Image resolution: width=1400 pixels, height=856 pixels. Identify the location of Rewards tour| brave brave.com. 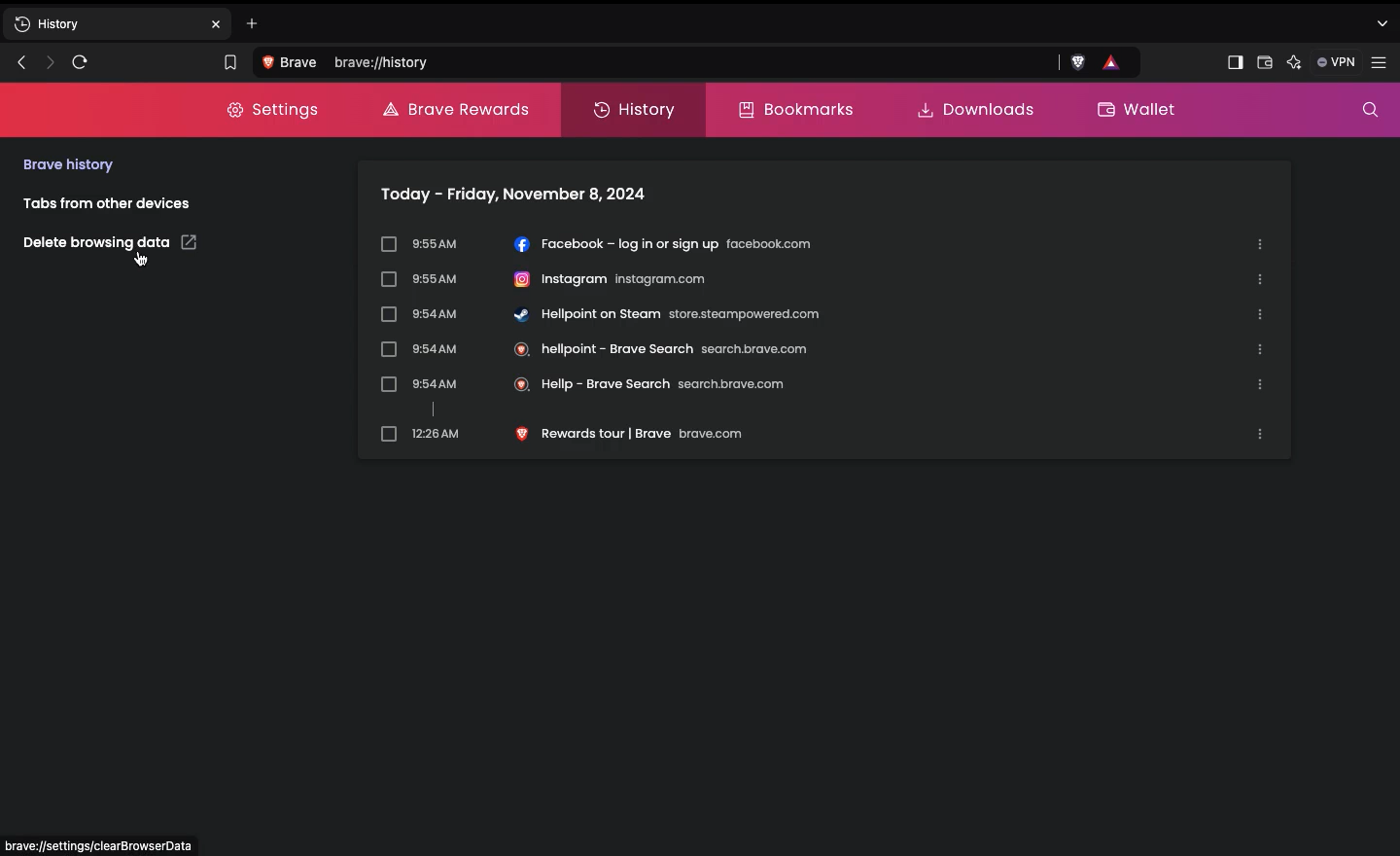
(820, 433).